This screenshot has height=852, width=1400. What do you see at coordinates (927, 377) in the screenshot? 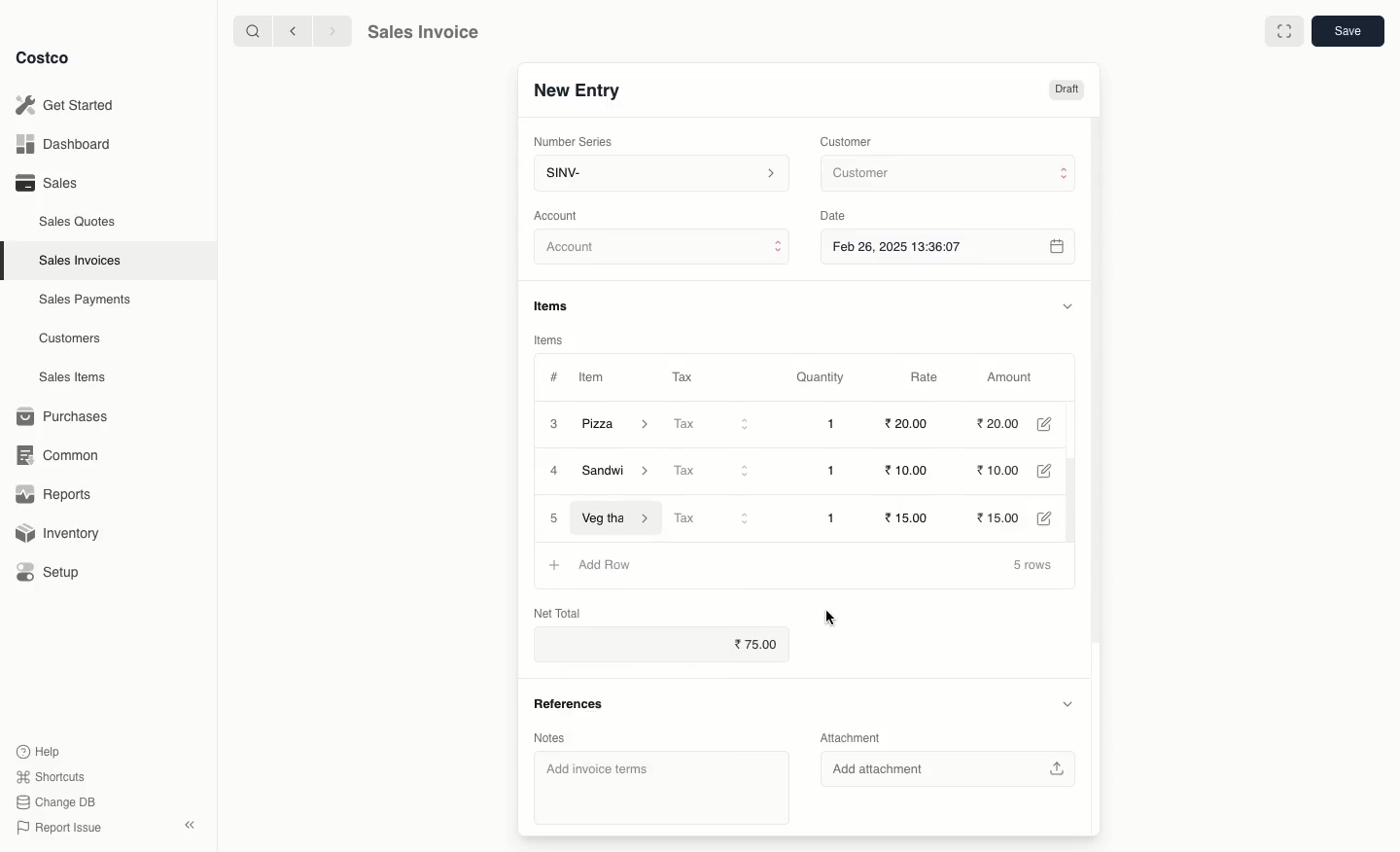
I see `Rate` at bounding box center [927, 377].